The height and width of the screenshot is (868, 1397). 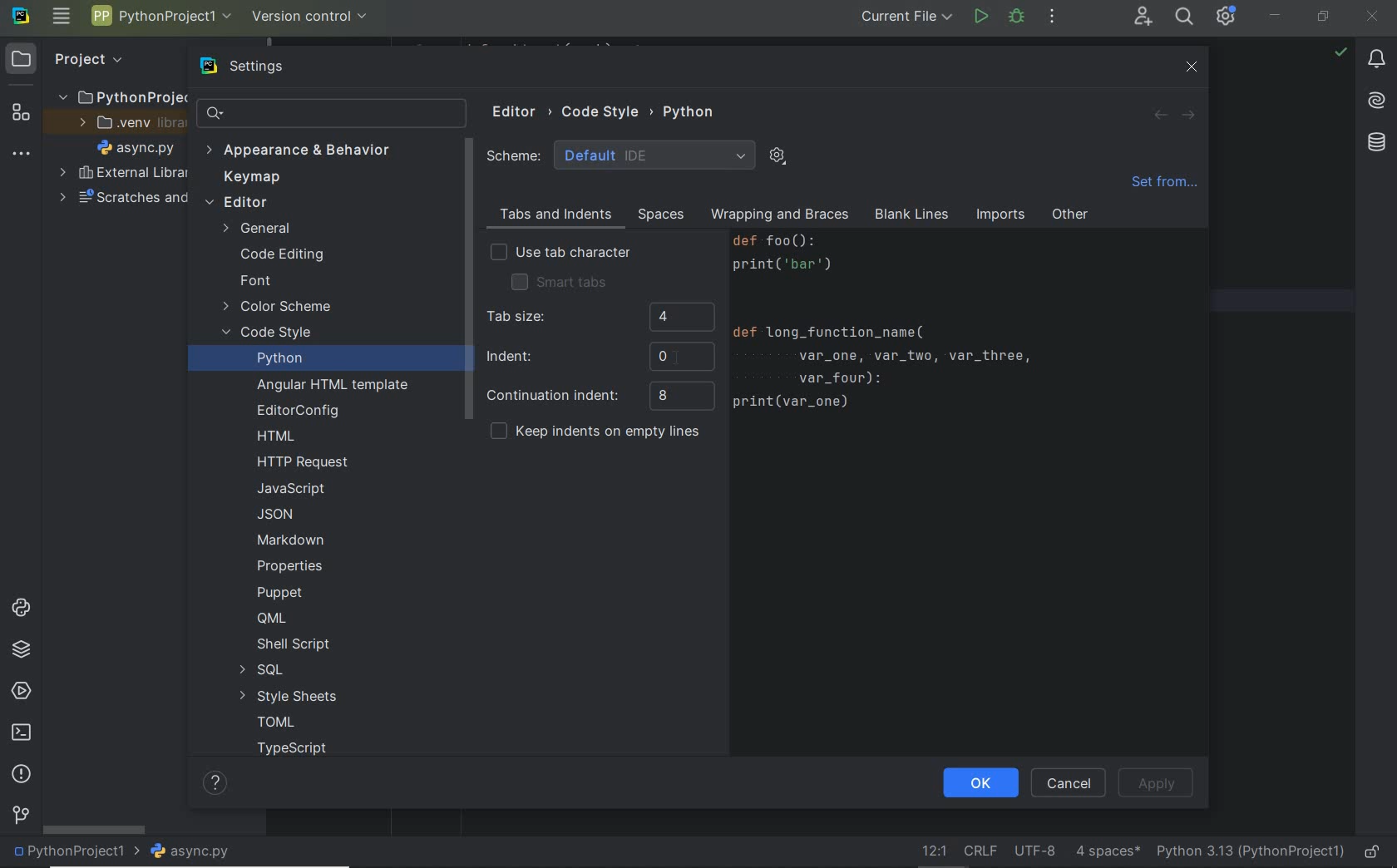 I want to click on ok, so click(x=980, y=785).